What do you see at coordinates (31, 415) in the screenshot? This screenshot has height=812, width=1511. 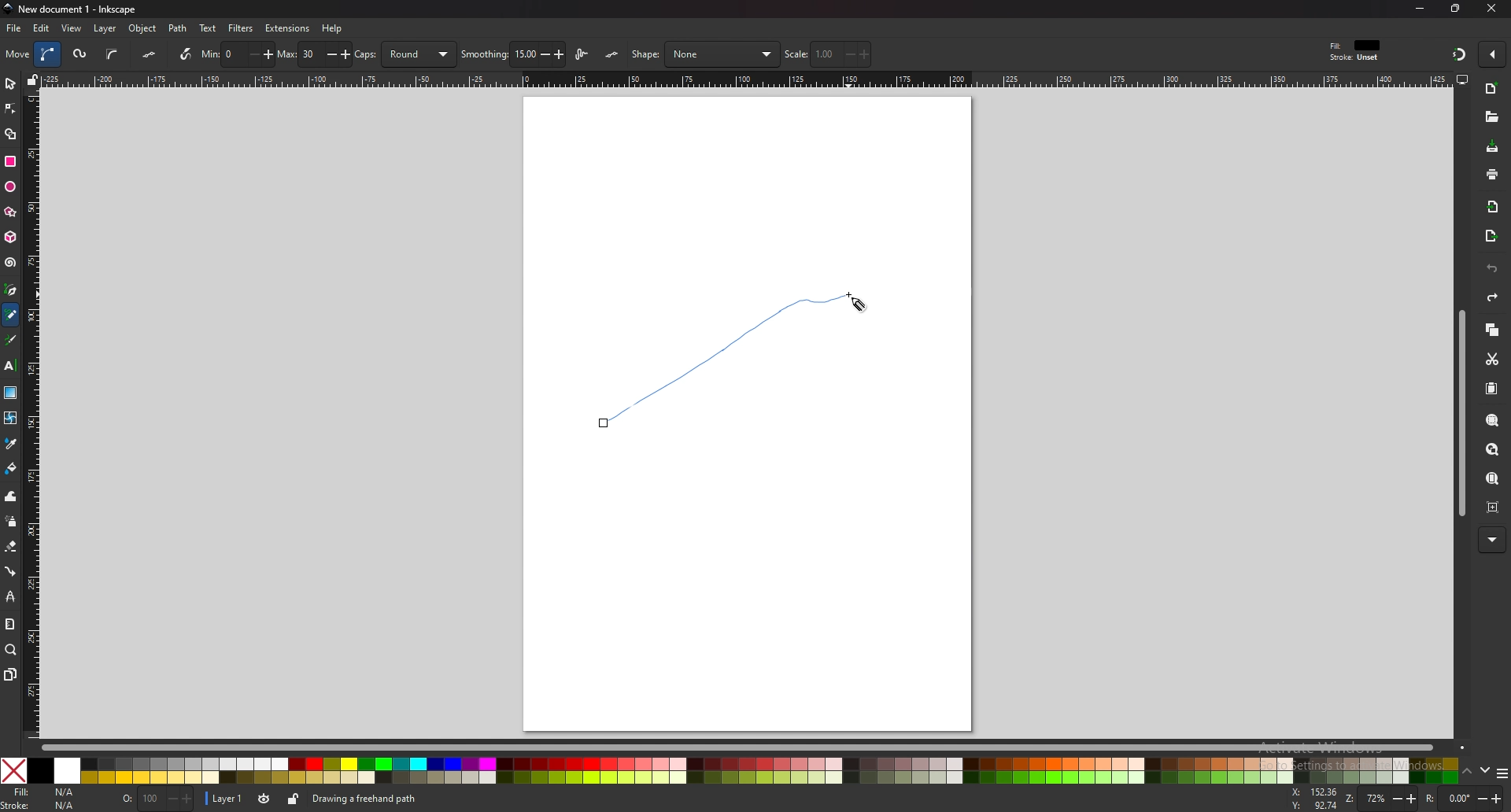 I see `vertical scale` at bounding box center [31, 415].